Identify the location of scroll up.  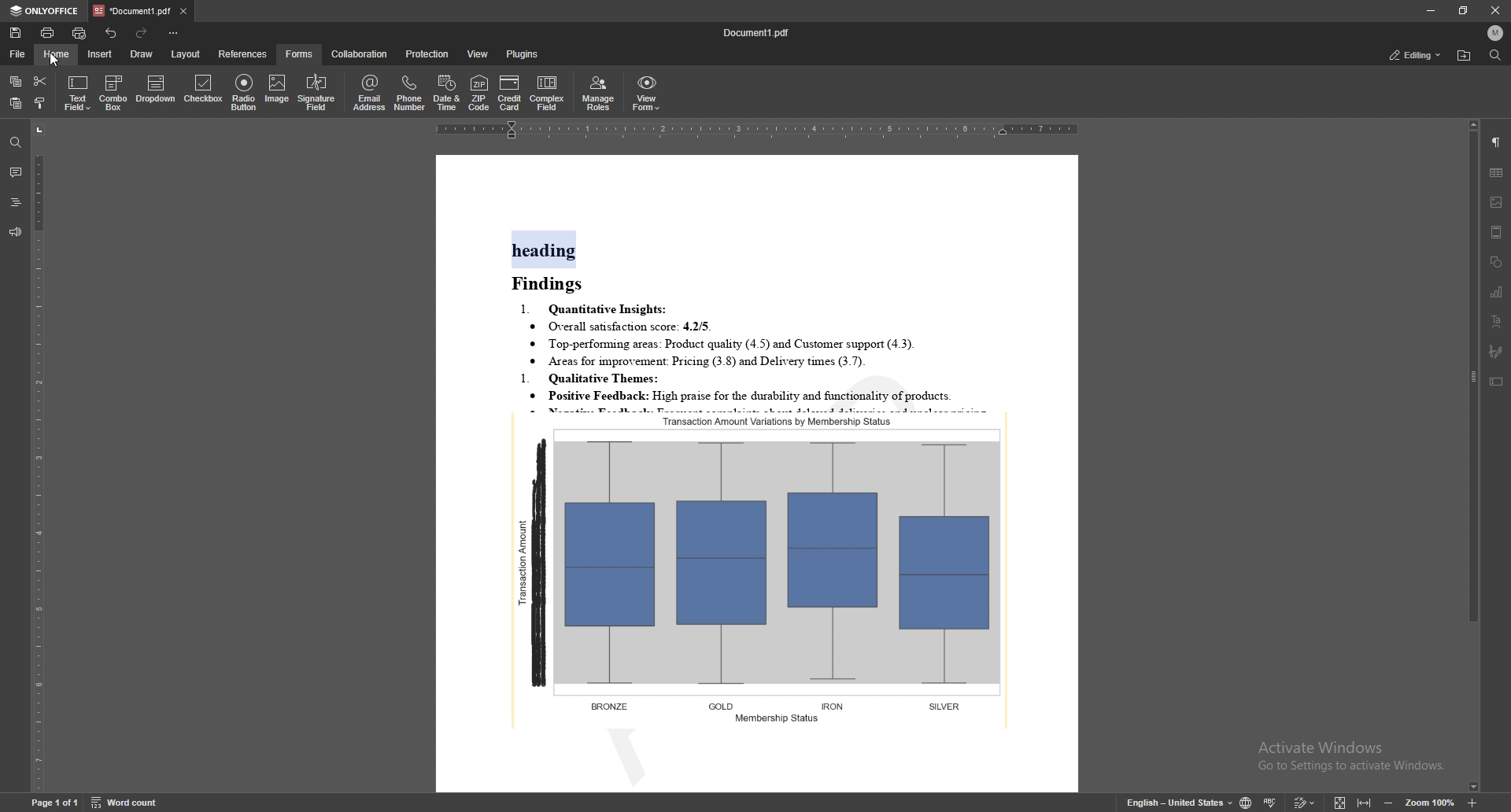
(1472, 125).